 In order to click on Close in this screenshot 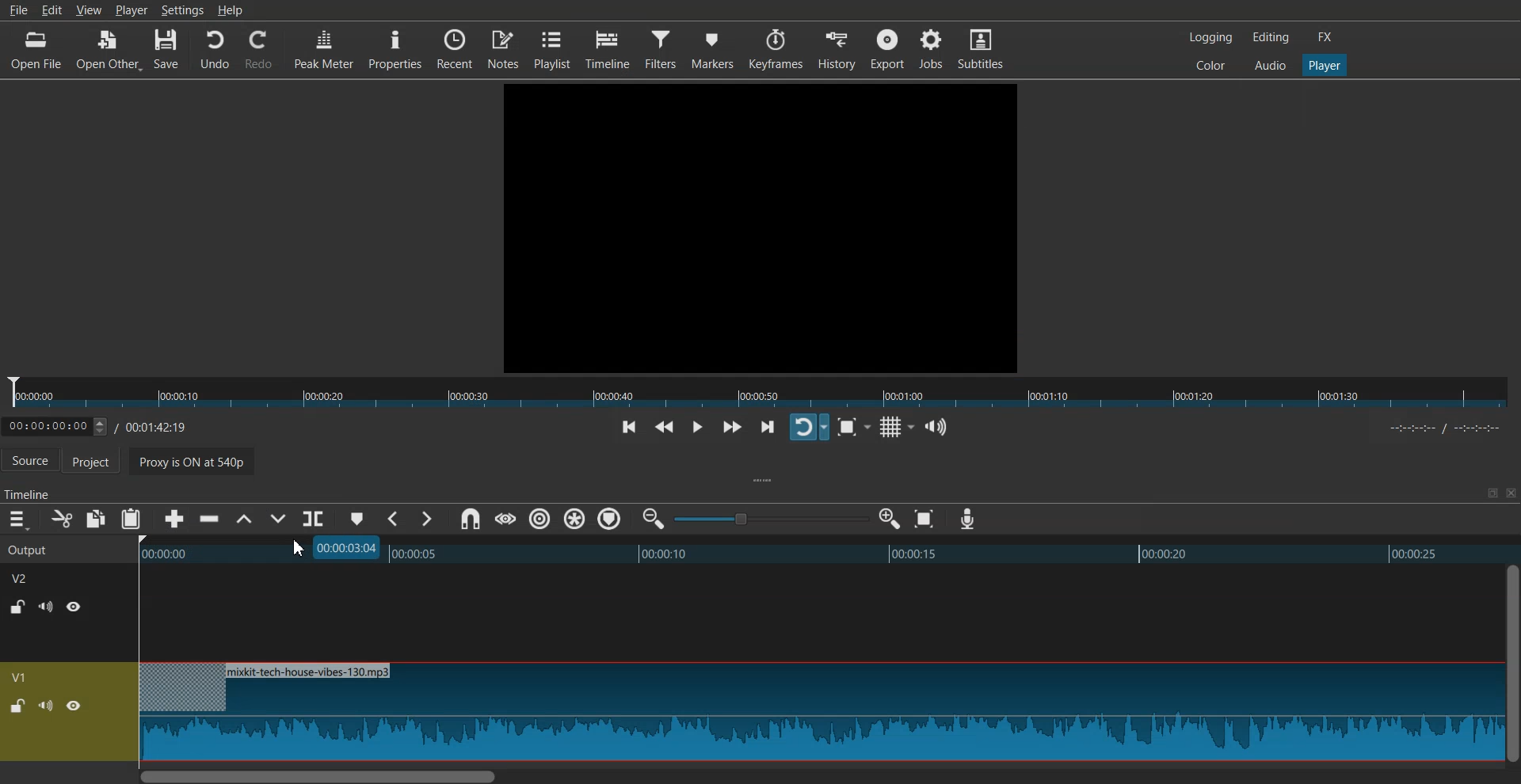, I will do `click(1509, 493)`.